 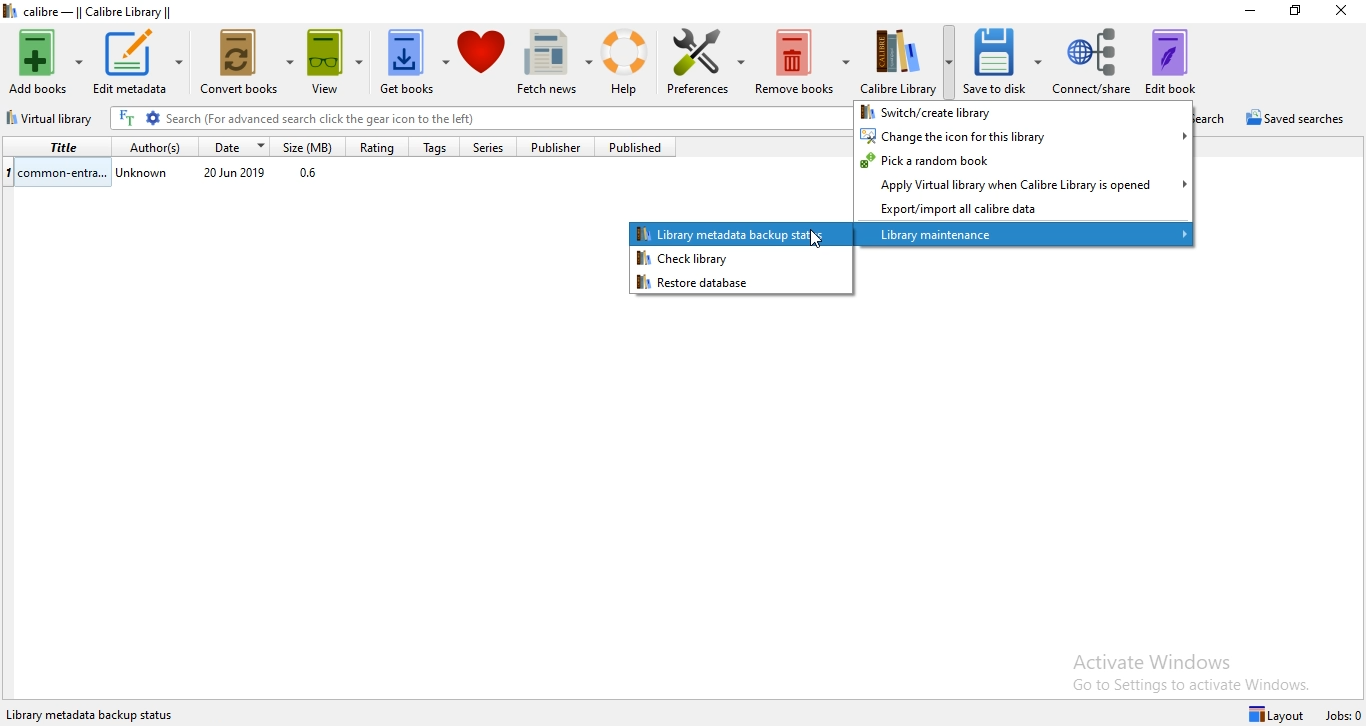 What do you see at coordinates (742, 233) in the screenshot?
I see `library metadata backup status` at bounding box center [742, 233].